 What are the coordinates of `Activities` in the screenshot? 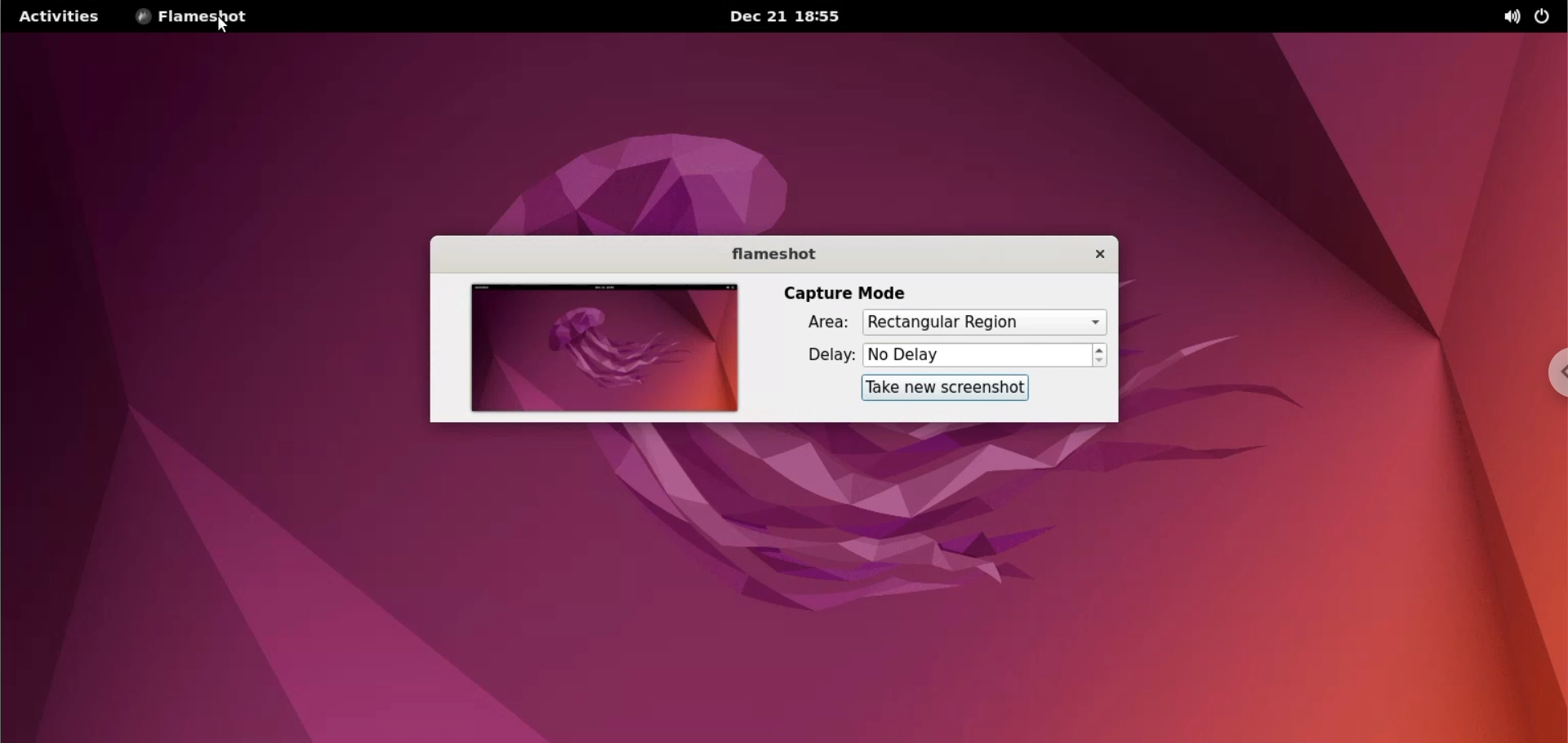 It's located at (58, 17).